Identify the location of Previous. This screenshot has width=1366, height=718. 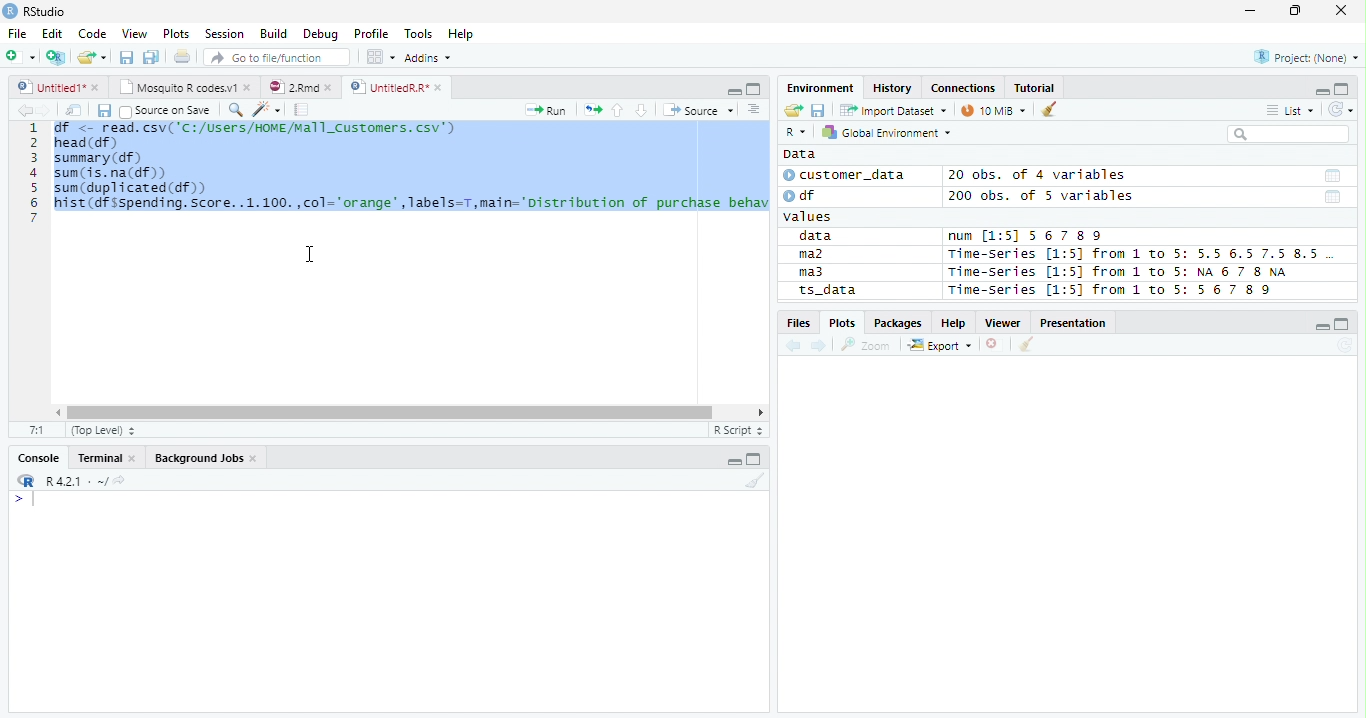
(796, 346).